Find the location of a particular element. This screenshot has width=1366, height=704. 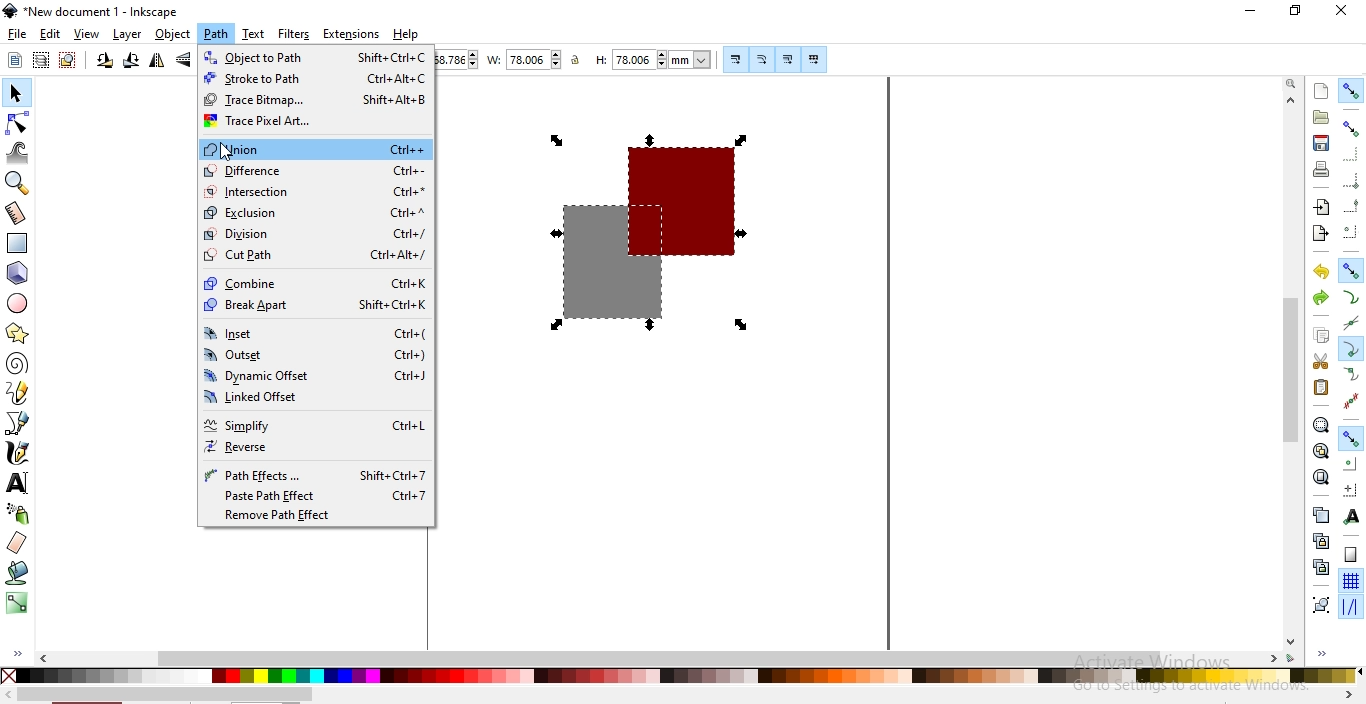

snap an items rotation is located at coordinates (1352, 490).